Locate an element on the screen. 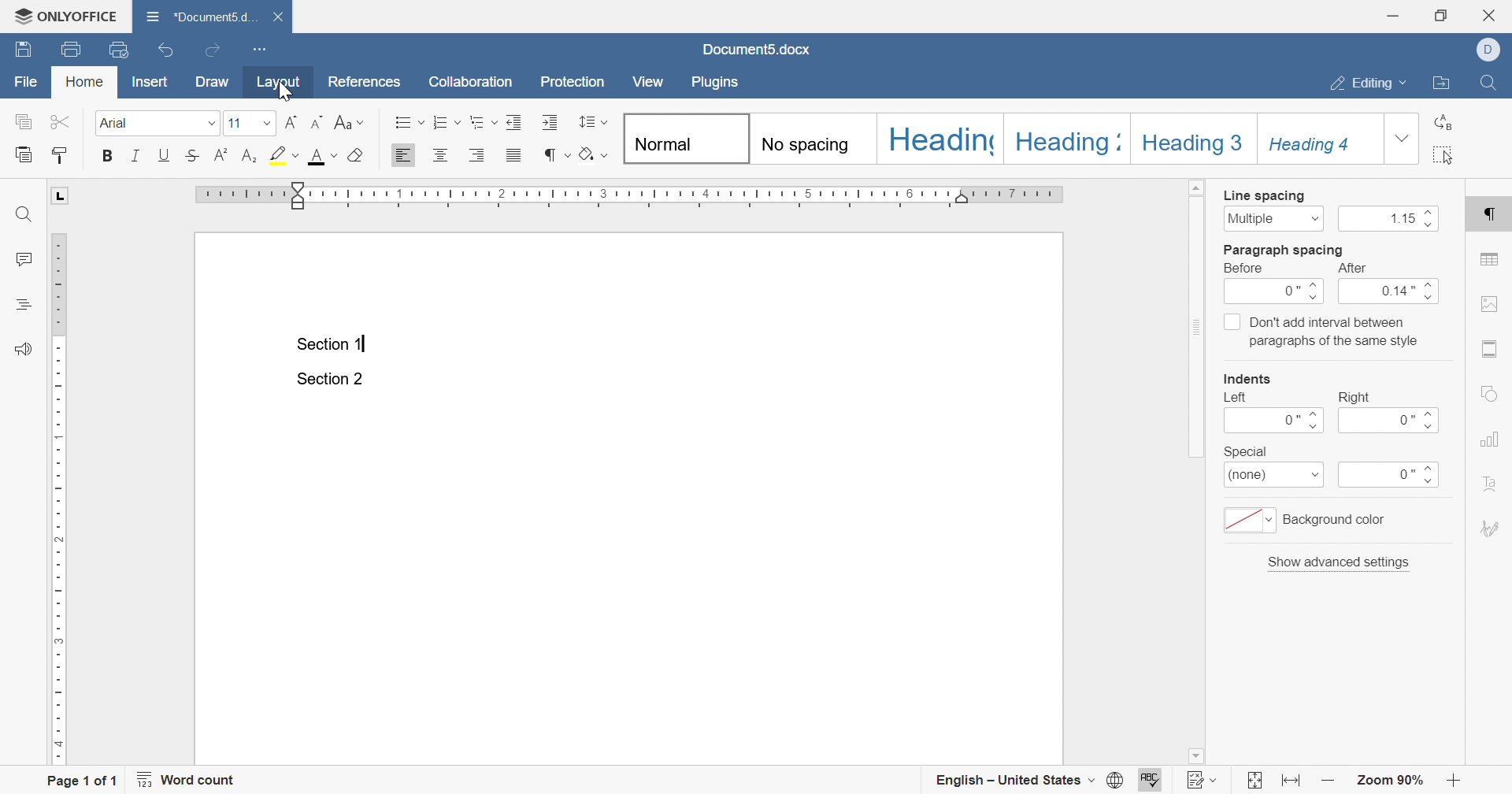 The height and width of the screenshot is (794, 1512). close is located at coordinates (277, 17).